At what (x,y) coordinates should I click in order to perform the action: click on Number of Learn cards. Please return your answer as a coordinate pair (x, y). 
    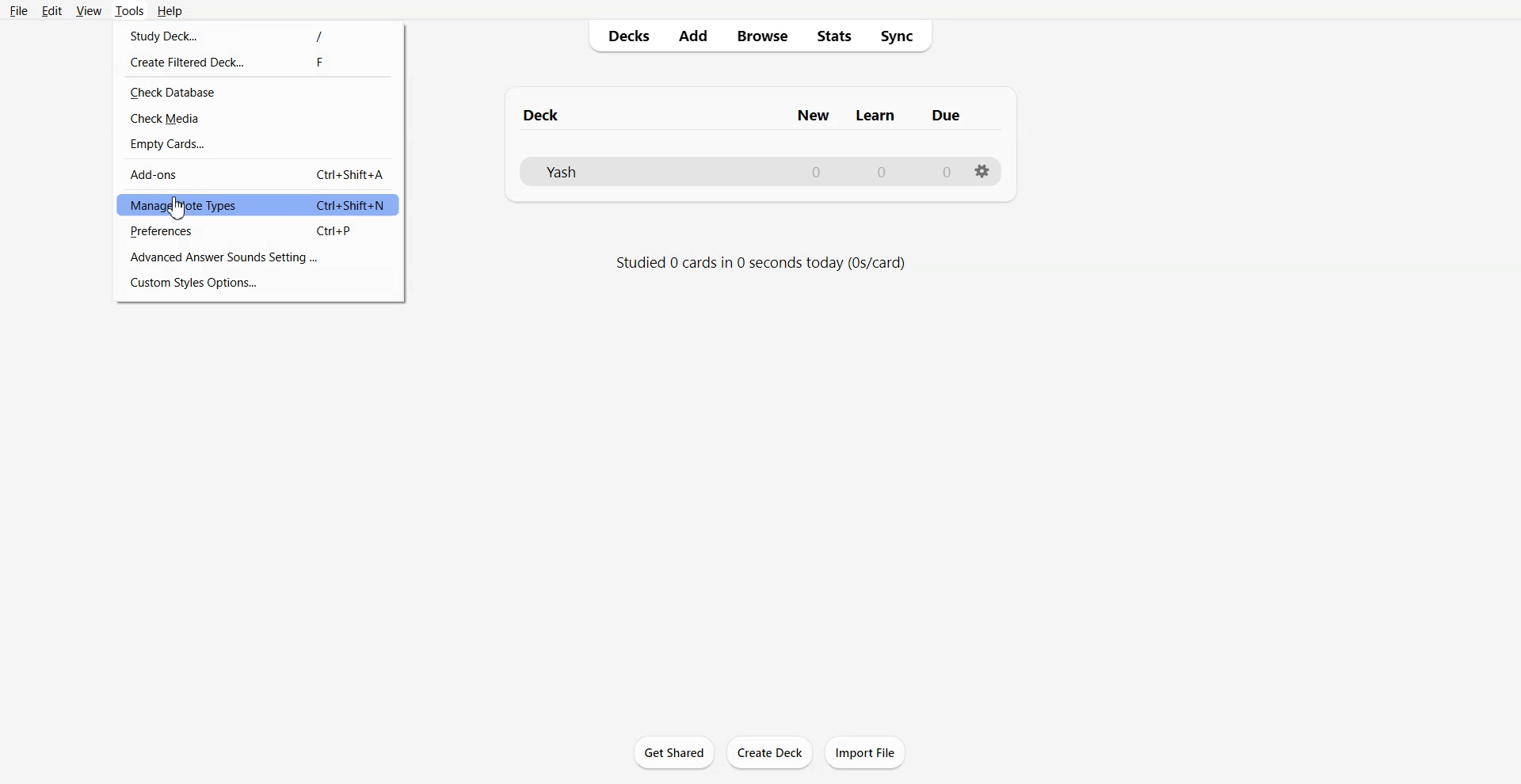
    Looking at the image, I should click on (882, 171).